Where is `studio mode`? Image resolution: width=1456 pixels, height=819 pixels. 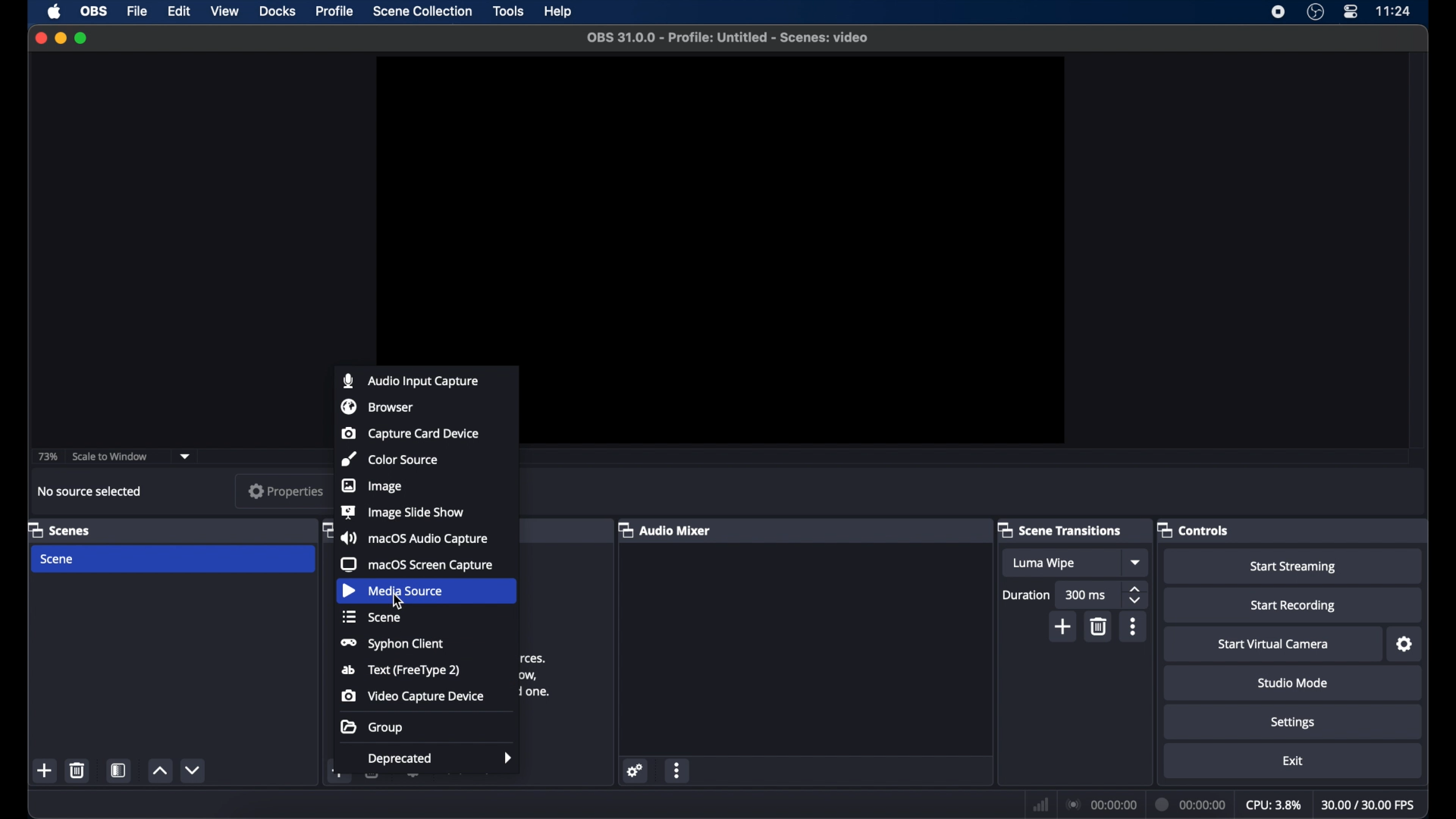 studio mode is located at coordinates (1293, 683).